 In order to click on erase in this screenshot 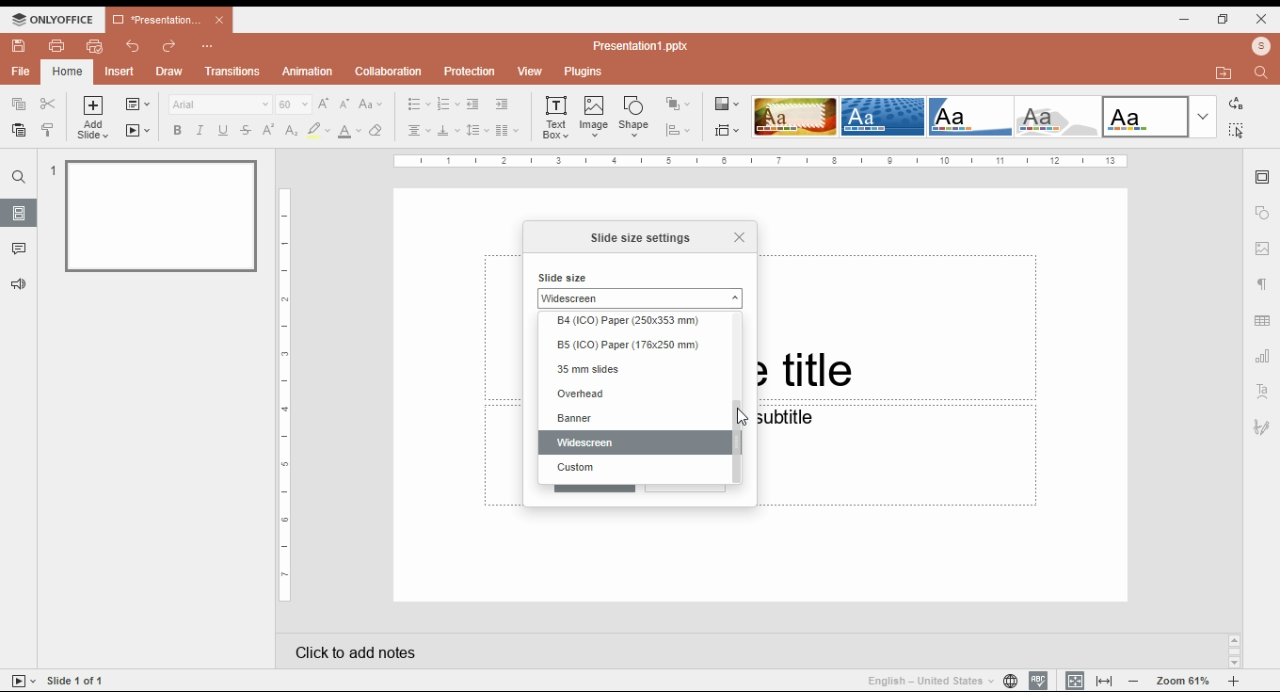, I will do `click(377, 131)`.